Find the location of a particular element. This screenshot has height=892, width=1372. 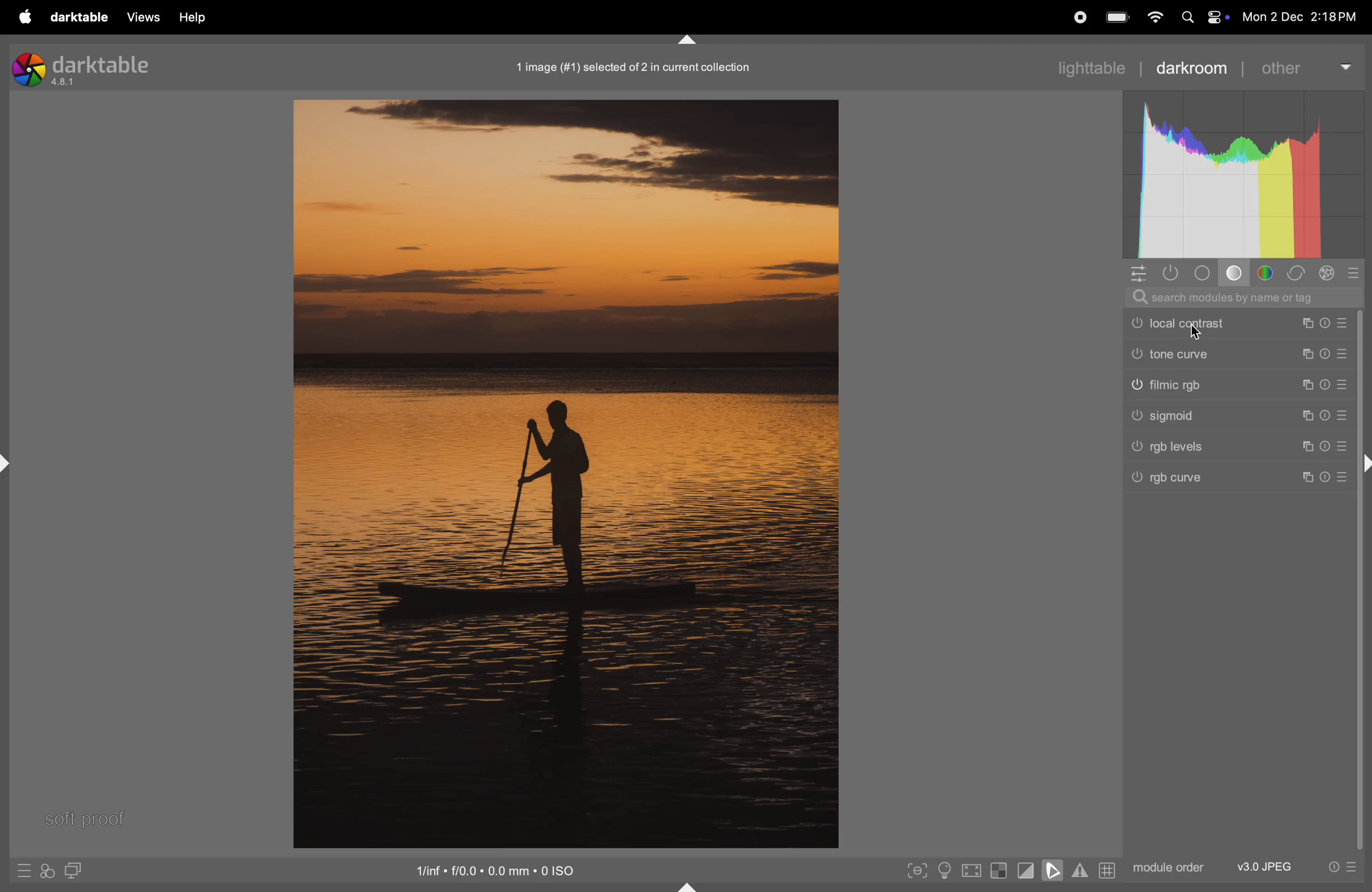

apple widgets is located at coordinates (1203, 17).